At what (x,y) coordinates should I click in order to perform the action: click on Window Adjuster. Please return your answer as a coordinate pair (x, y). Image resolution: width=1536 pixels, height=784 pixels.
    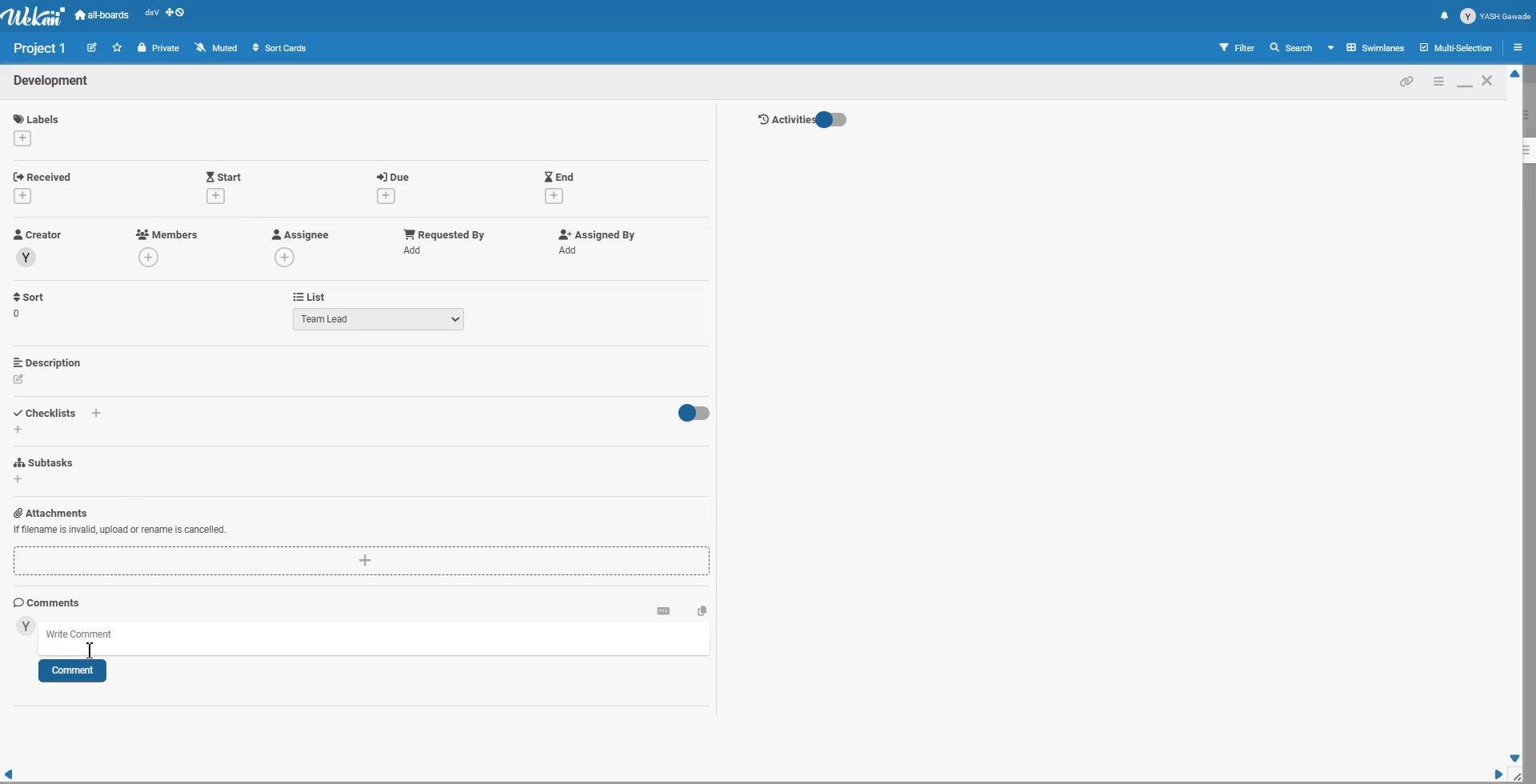
    Looking at the image, I should click on (1521, 776).